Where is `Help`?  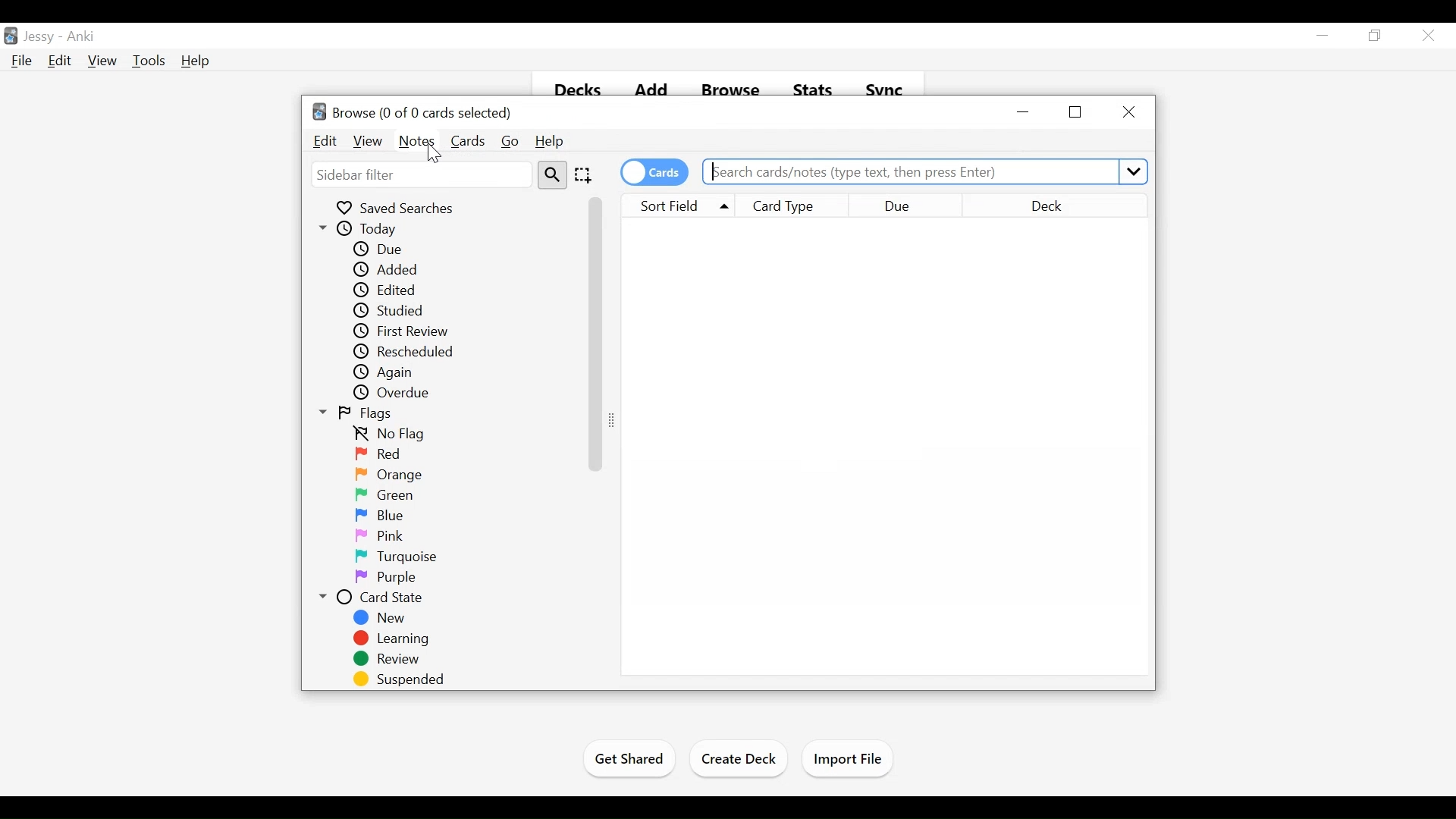 Help is located at coordinates (550, 142).